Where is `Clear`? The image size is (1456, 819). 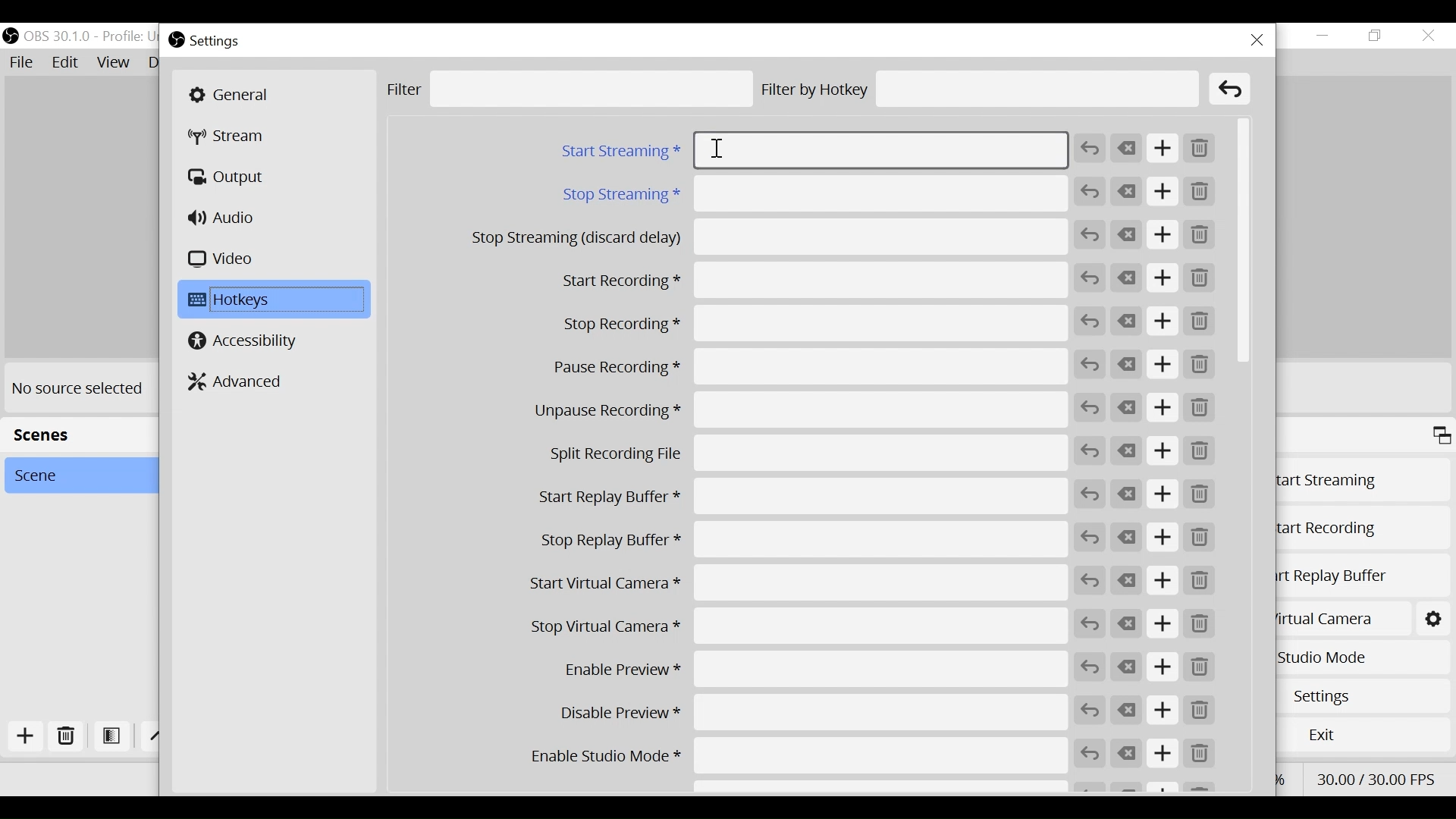
Clear is located at coordinates (1128, 753).